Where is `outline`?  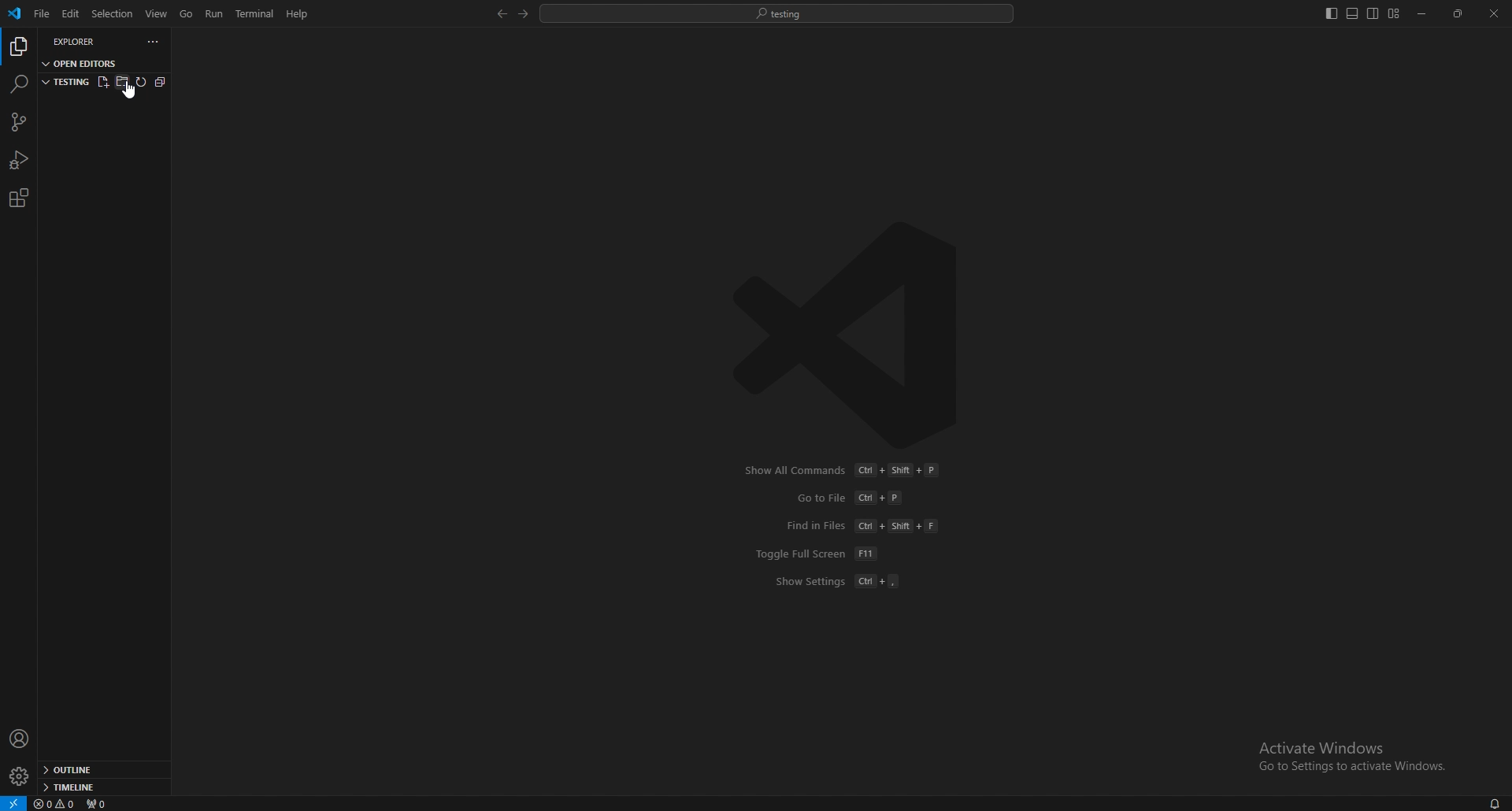
outline is located at coordinates (102, 771).